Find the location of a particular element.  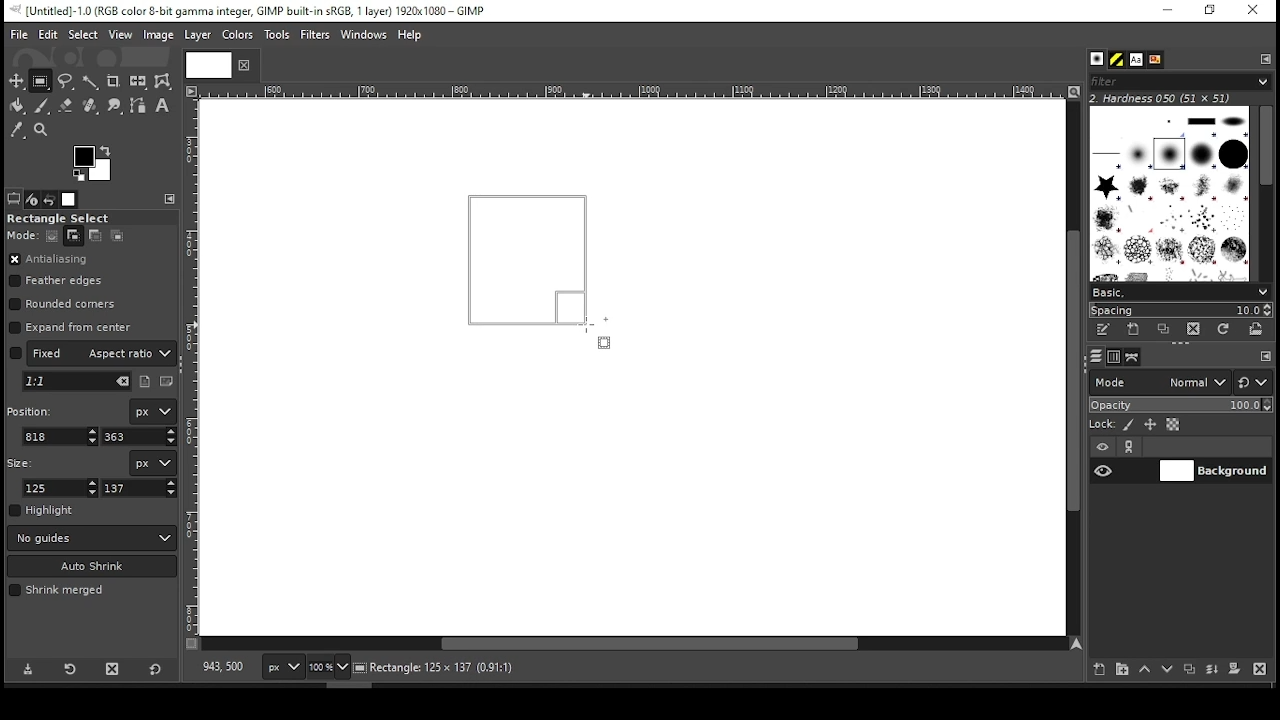

intersect with the current selection is located at coordinates (116, 235).